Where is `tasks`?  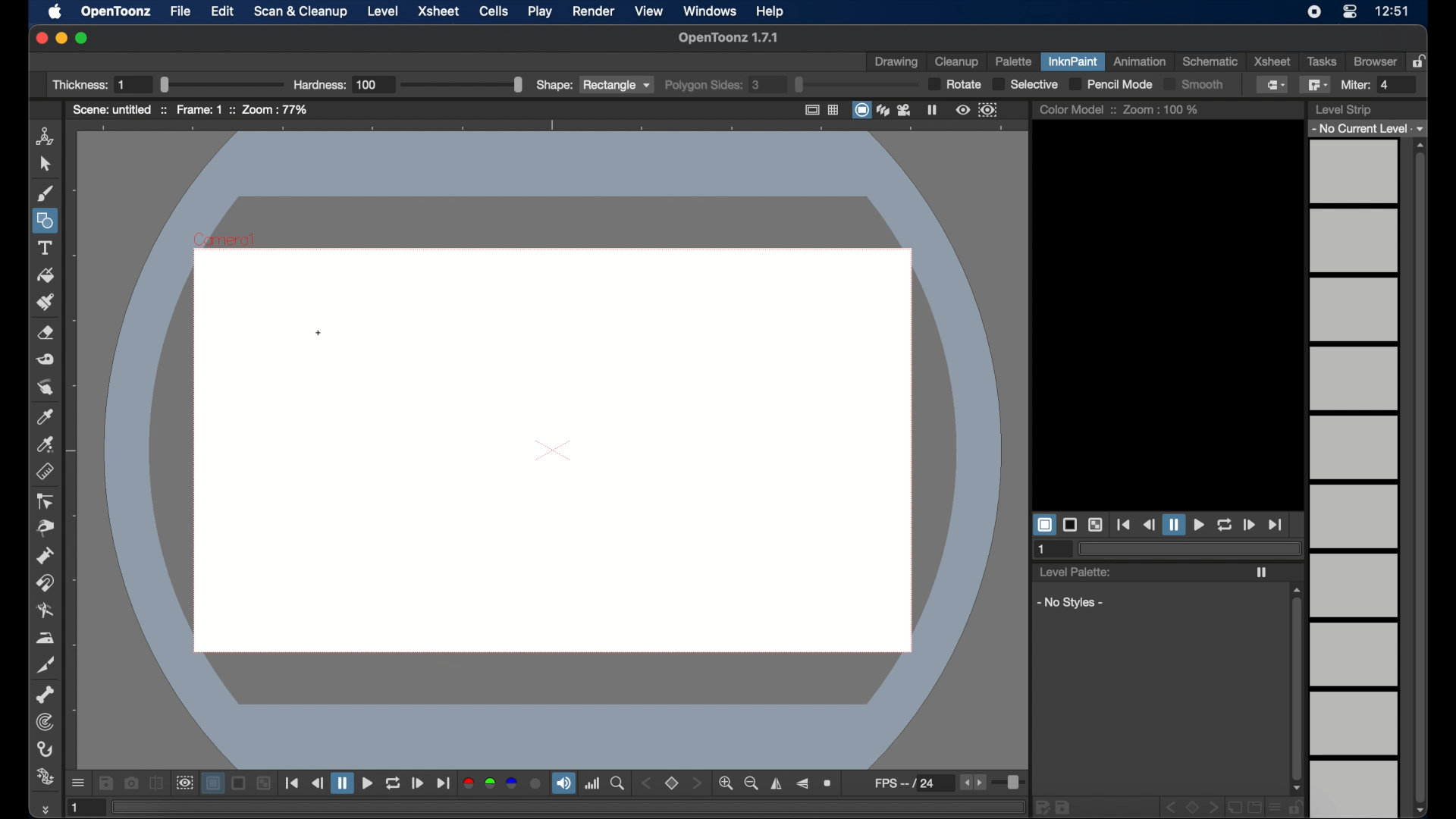 tasks is located at coordinates (1321, 61).